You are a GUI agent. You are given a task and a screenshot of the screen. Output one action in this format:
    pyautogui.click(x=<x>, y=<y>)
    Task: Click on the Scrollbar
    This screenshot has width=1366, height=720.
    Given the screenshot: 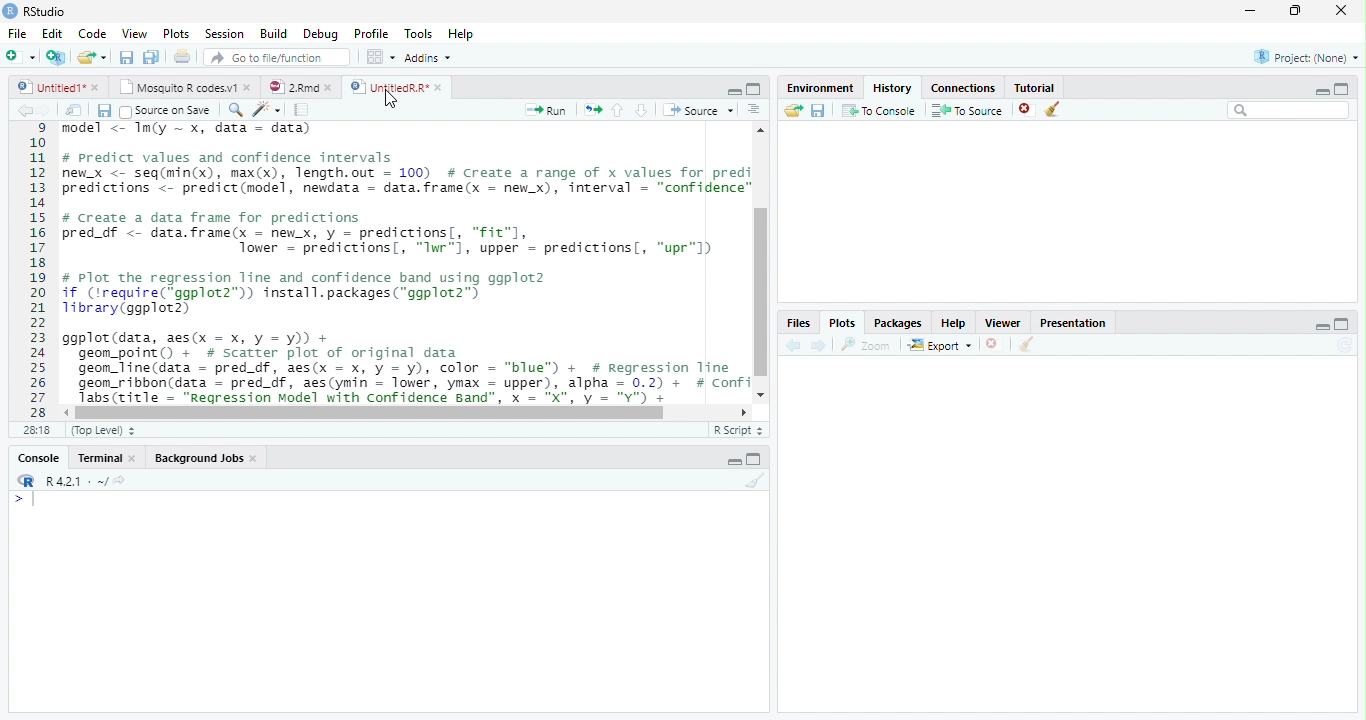 What is the action you would take?
    pyautogui.click(x=761, y=263)
    